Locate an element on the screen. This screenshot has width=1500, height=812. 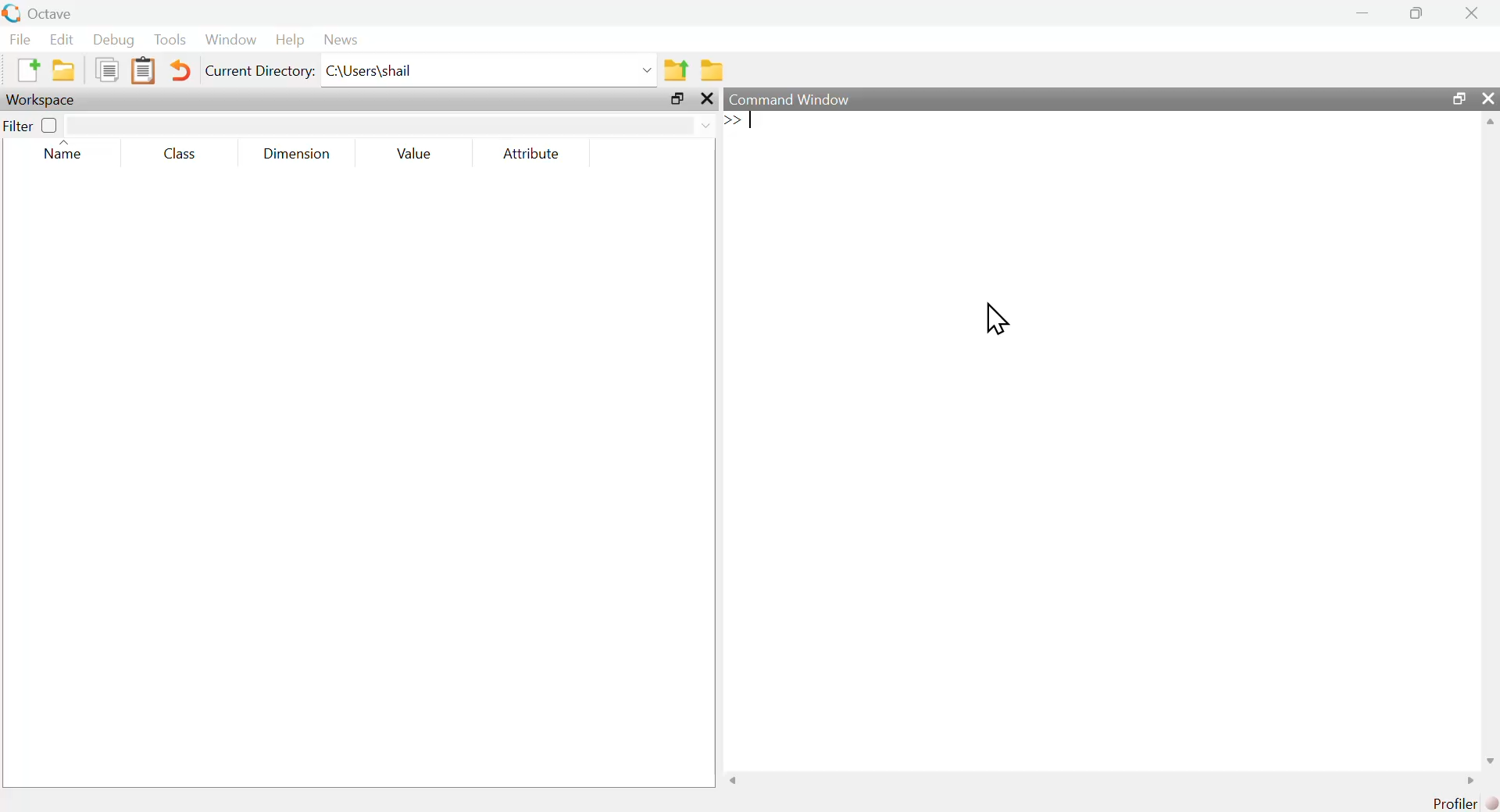
dropdown is located at coordinates (709, 126).